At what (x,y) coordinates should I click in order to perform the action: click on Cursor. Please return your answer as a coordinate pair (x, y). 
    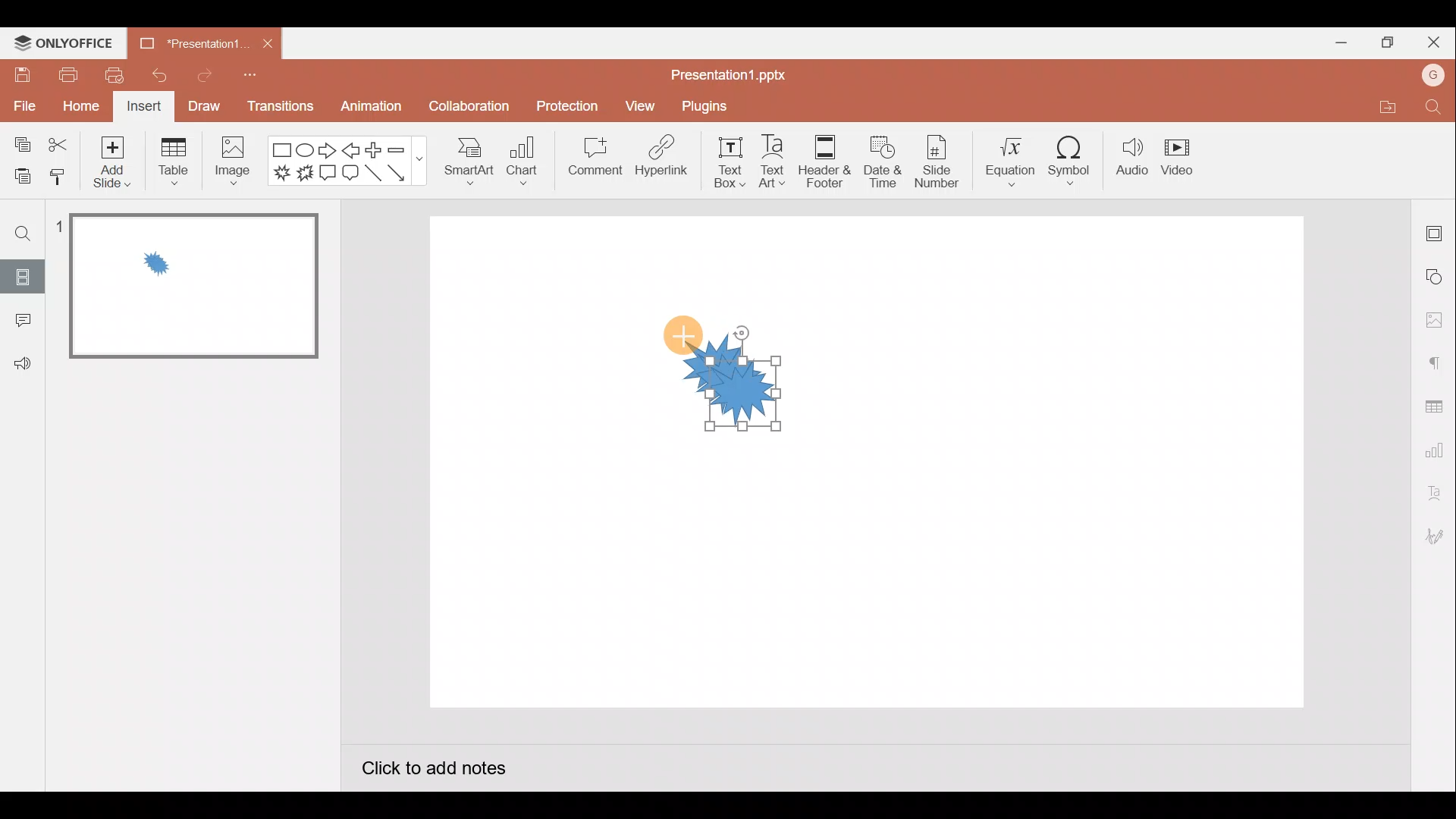
    Looking at the image, I should click on (673, 331).